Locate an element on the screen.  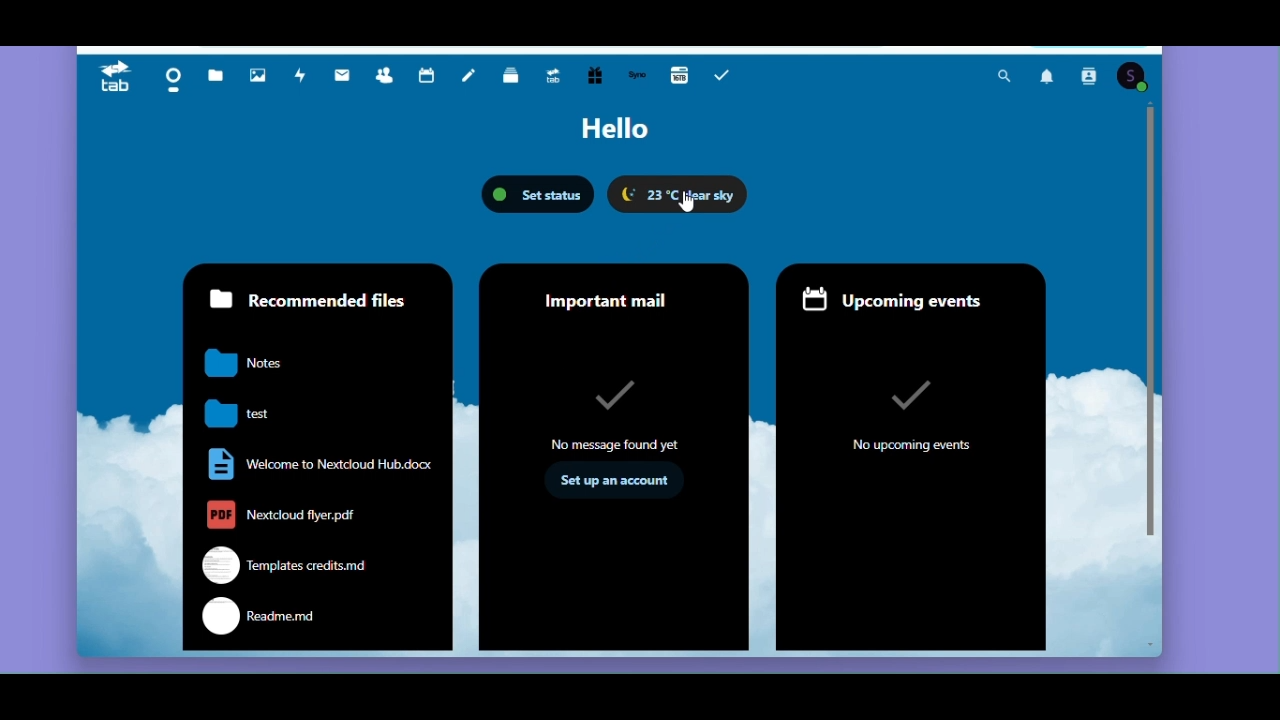
Hello is located at coordinates (615, 130).